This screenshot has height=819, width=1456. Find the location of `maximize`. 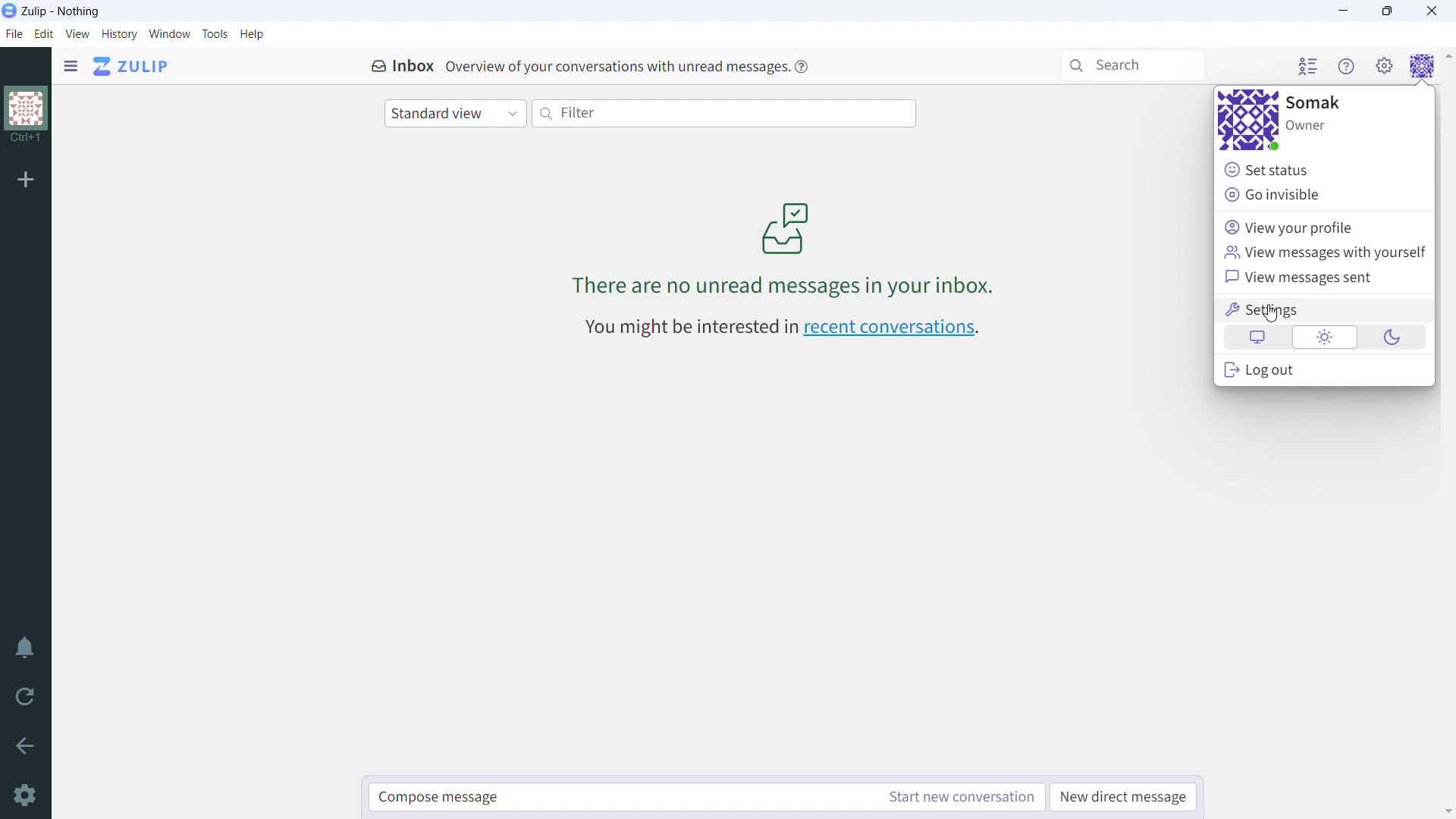

maximize is located at coordinates (1386, 11).